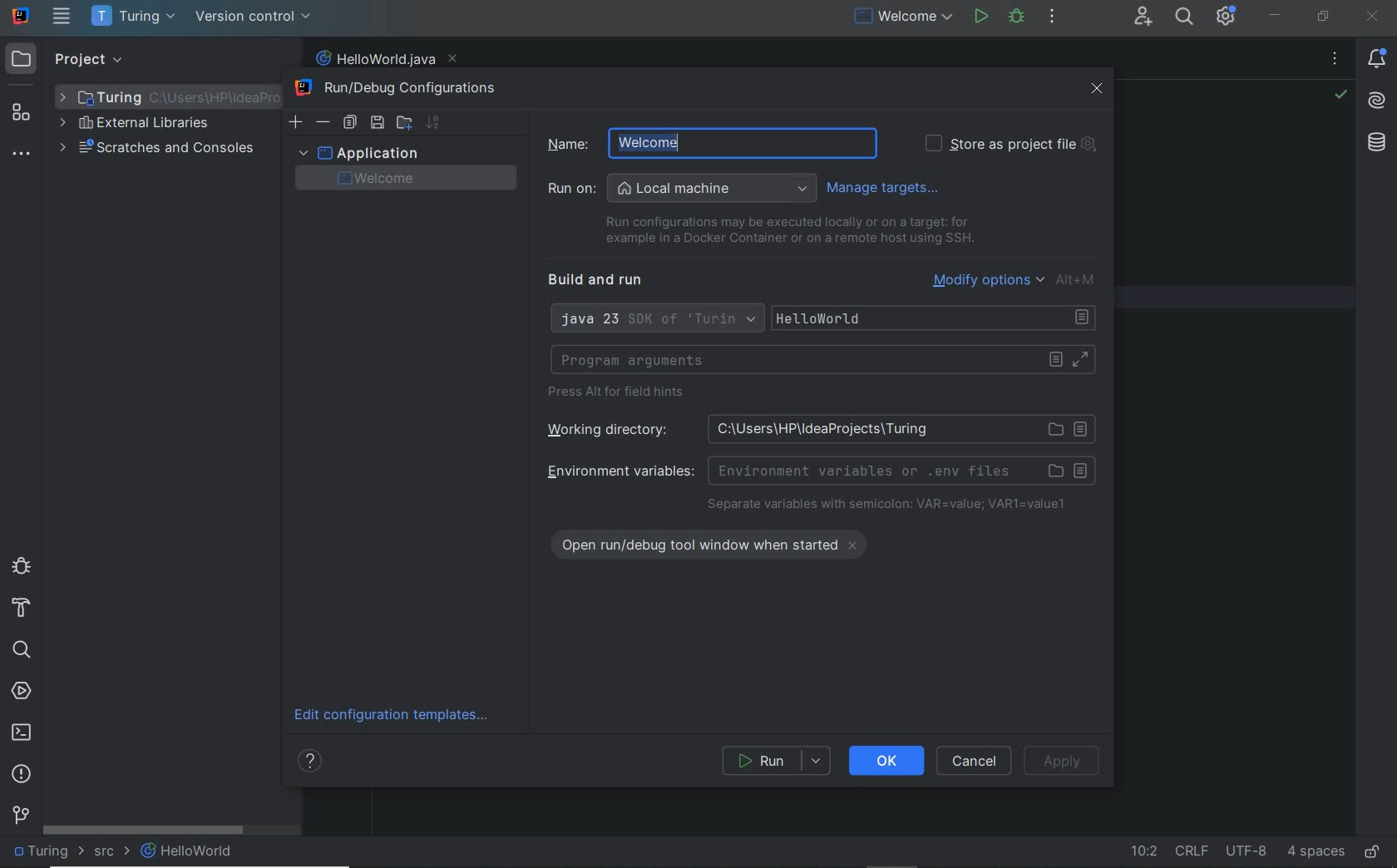 The width and height of the screenshot is (1397, 868). What do you see at coordinates (403, 121) in the screenshot?
I see `CREATE NEW FOLDER` at bounding box center [403, 121].